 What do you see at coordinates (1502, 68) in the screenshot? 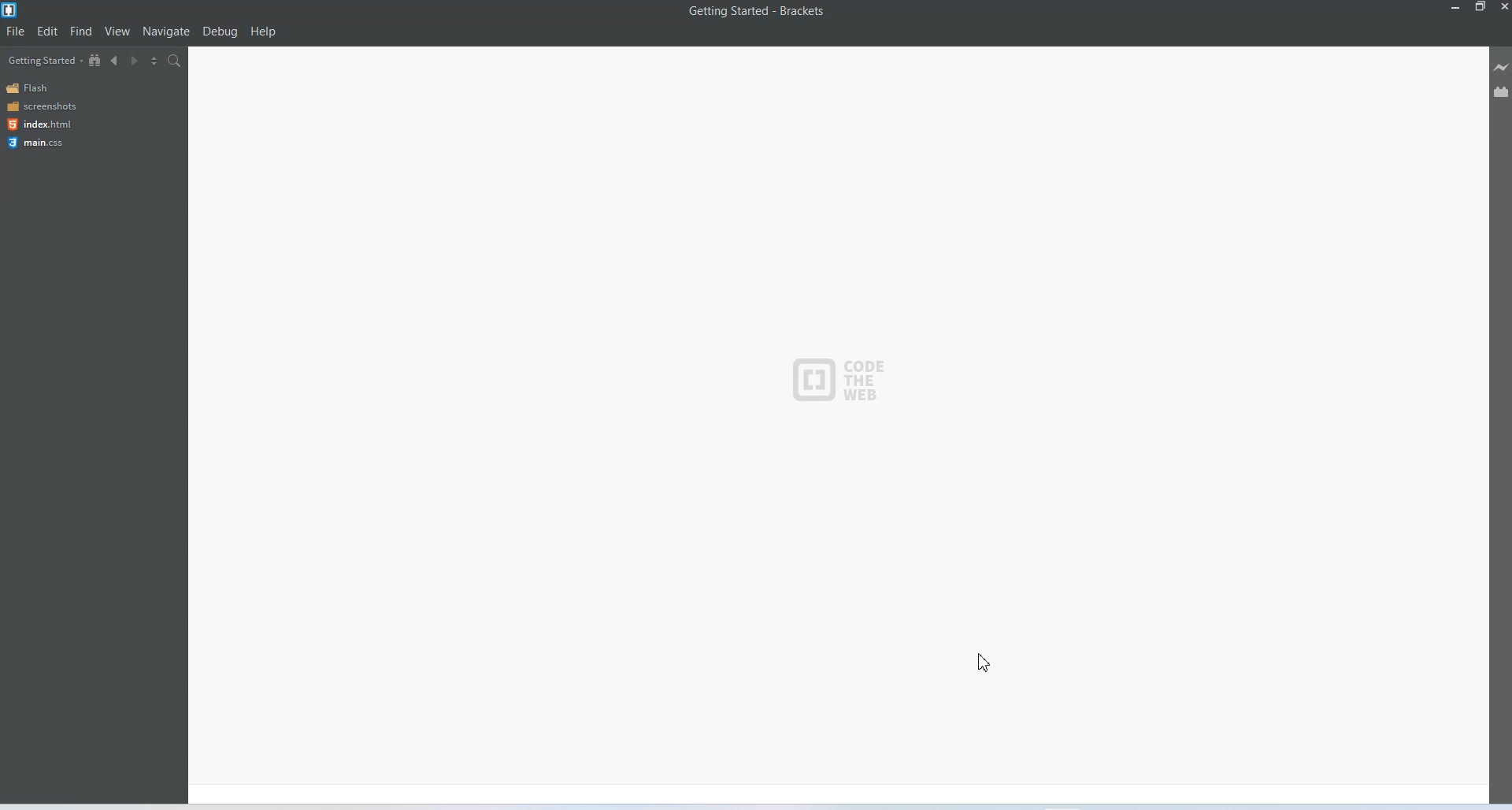
I see `Live Preview` at bounding box center [1502, 68].